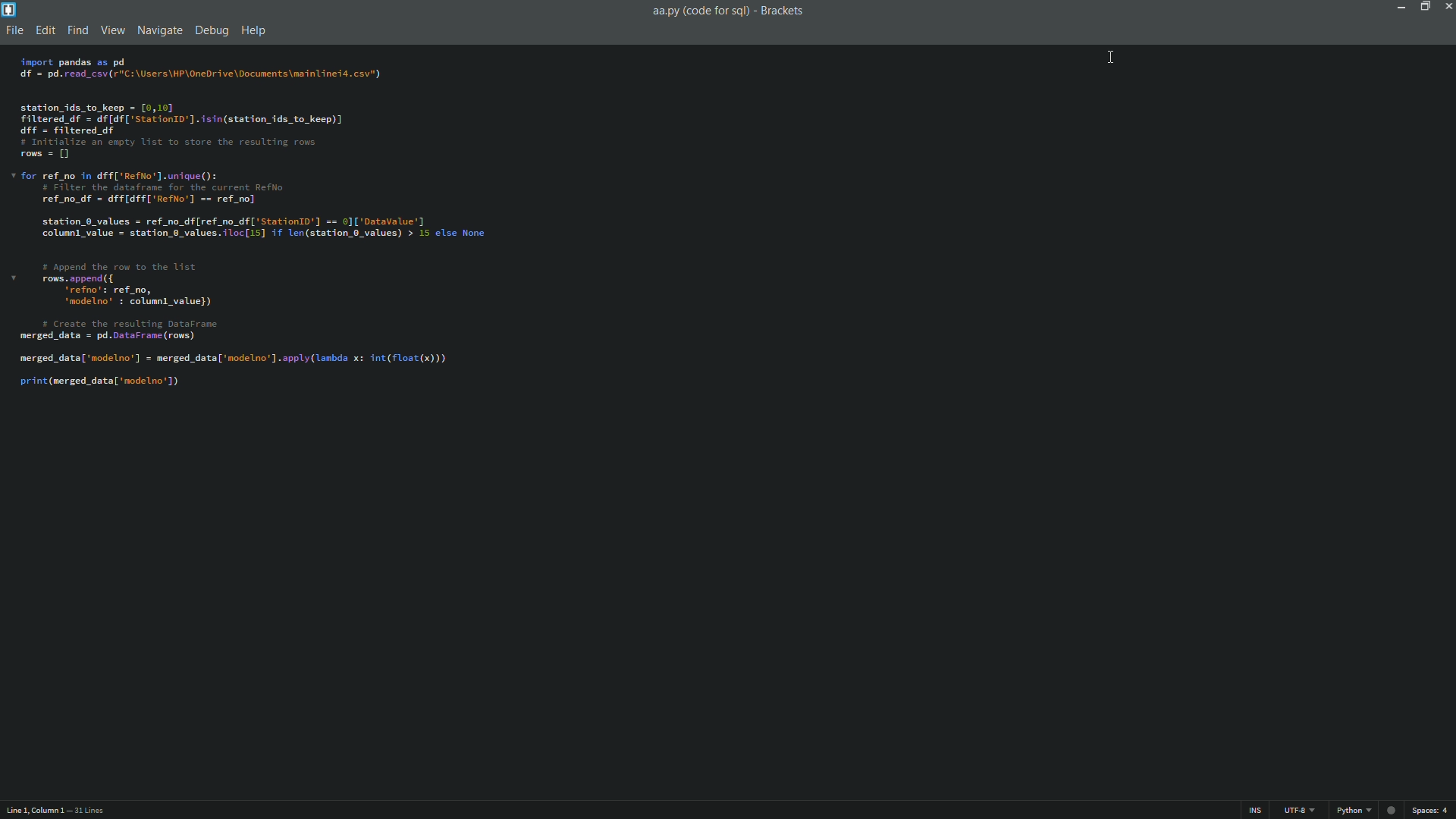 The image size is (1456, 819). I want to click on import pandas as pd
df = pd.read_csv(r"C:\Users\HP\OneDrive\Documents\mainlinei4.csv")
station_ids_to_keep = [0,10]
filtered_df = df[df['StationID'].isin(station_ids_to_keep)]
4FF = Filtered df
# Initialize an empty list to store the resulting rows
rows = [1
v for ref_no in dff['RefNo’].unique():
+ Filter the dataframe for the current RefNo
ref_no_df = dff[dff['RefNo’] == ref_no]
station 6_values = ref_no_df[ref_no_df['StationID'] == o]['Datavalue']
columnl_value = station_6_values.iloc[15] if len(station_@_values) > 15 else None
+ Append the row to the list
* rows.append({
‘refro’: ref_no,
‘modelno’ : columnl_value})
+ Create the resulting DataFrame
merged_data = pd.DataFrame (rows)
merged_data[ 'modelno’] = merged_data['modelno’].apply(lambda x: int(float(x)))
print(merged_data['modelno’]), so click(256, 225).